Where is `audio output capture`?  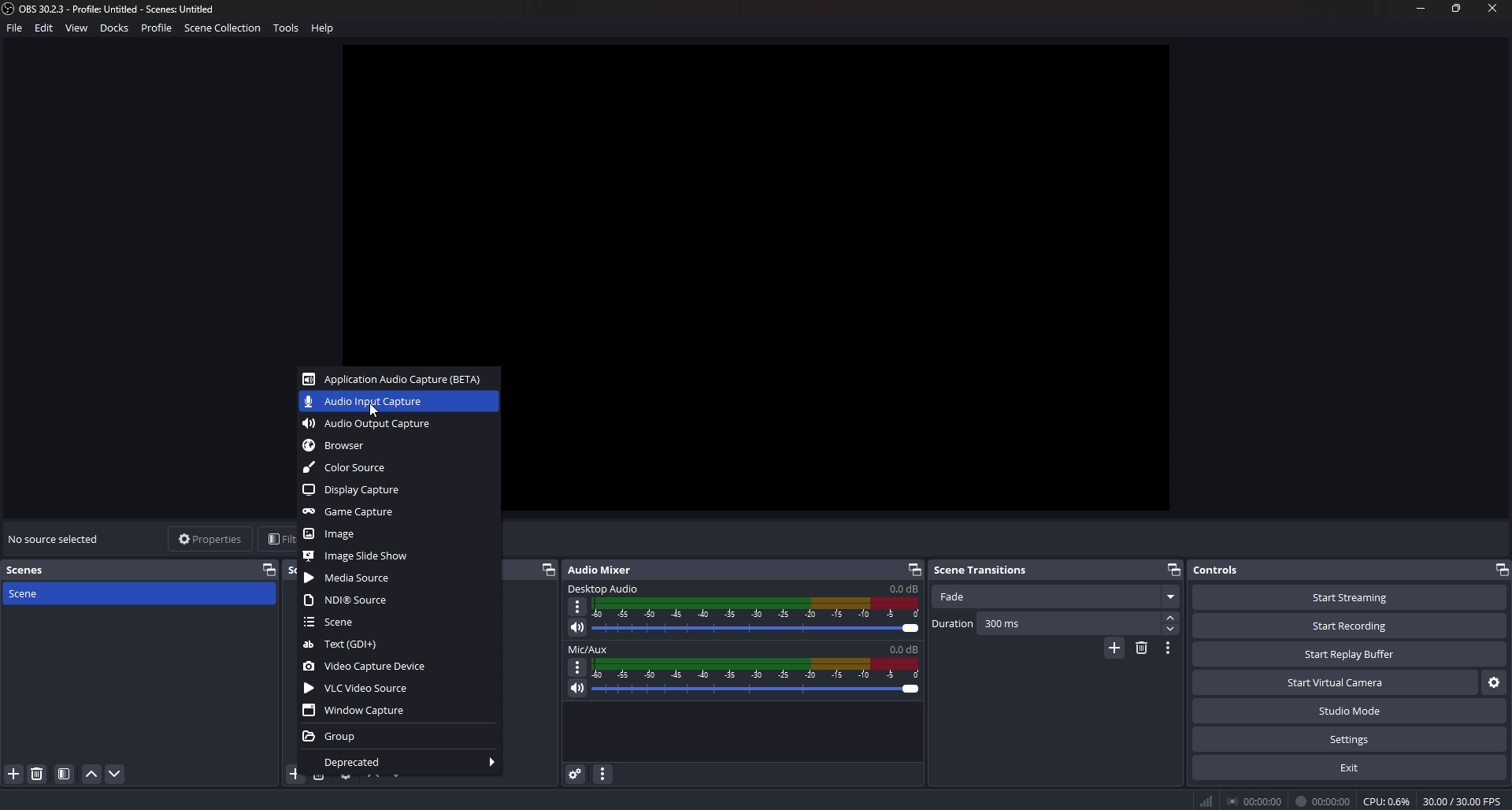 audio output capture is located at coordinates (398, 424).